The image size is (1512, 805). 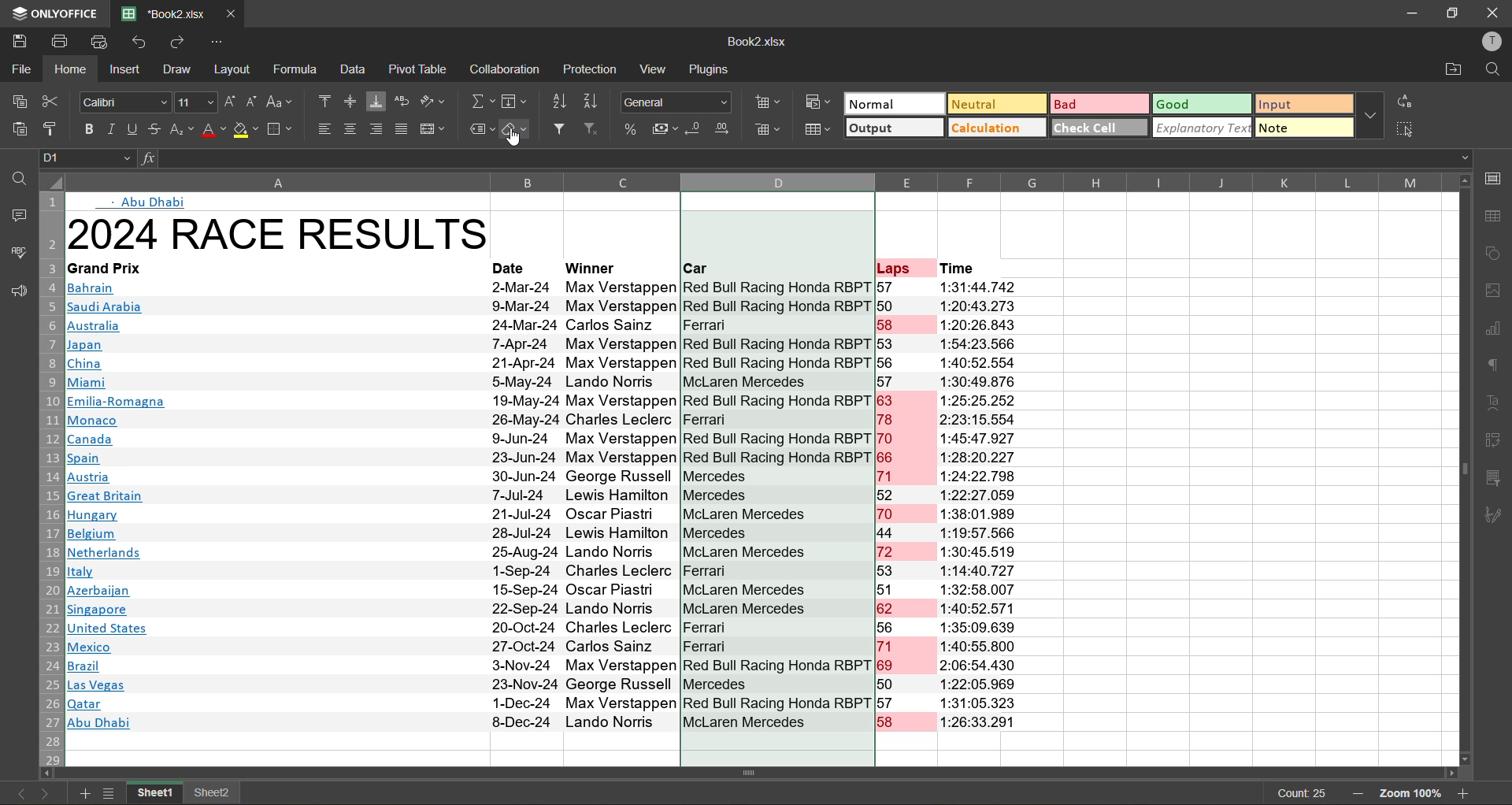 I want to click on Las Vegas 23-Nov-24 George Russell Mercedes 50 1:22:05.969, so click(x=543, y=687).